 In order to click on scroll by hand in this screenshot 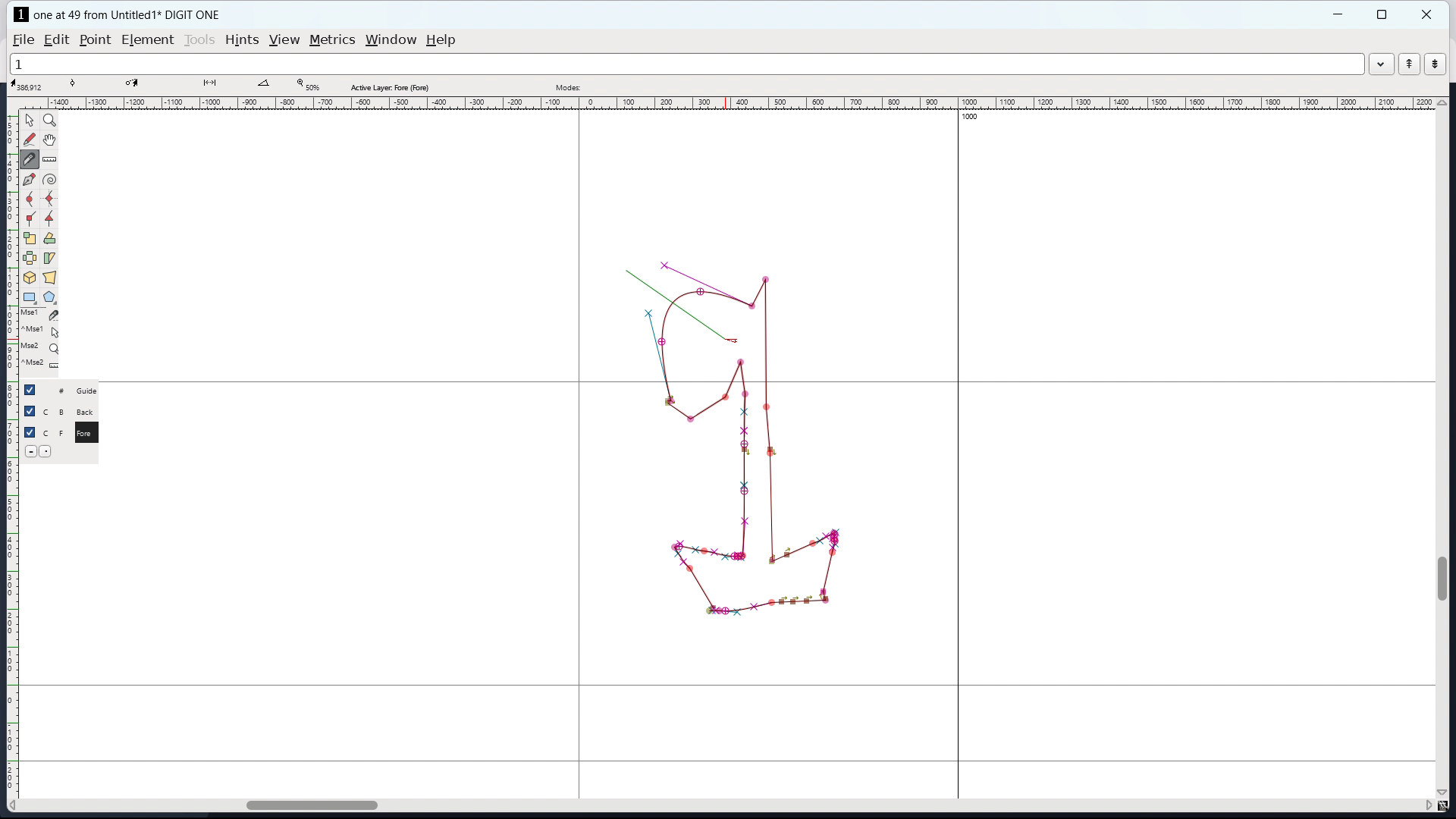, I will do `click(49, 140)`.